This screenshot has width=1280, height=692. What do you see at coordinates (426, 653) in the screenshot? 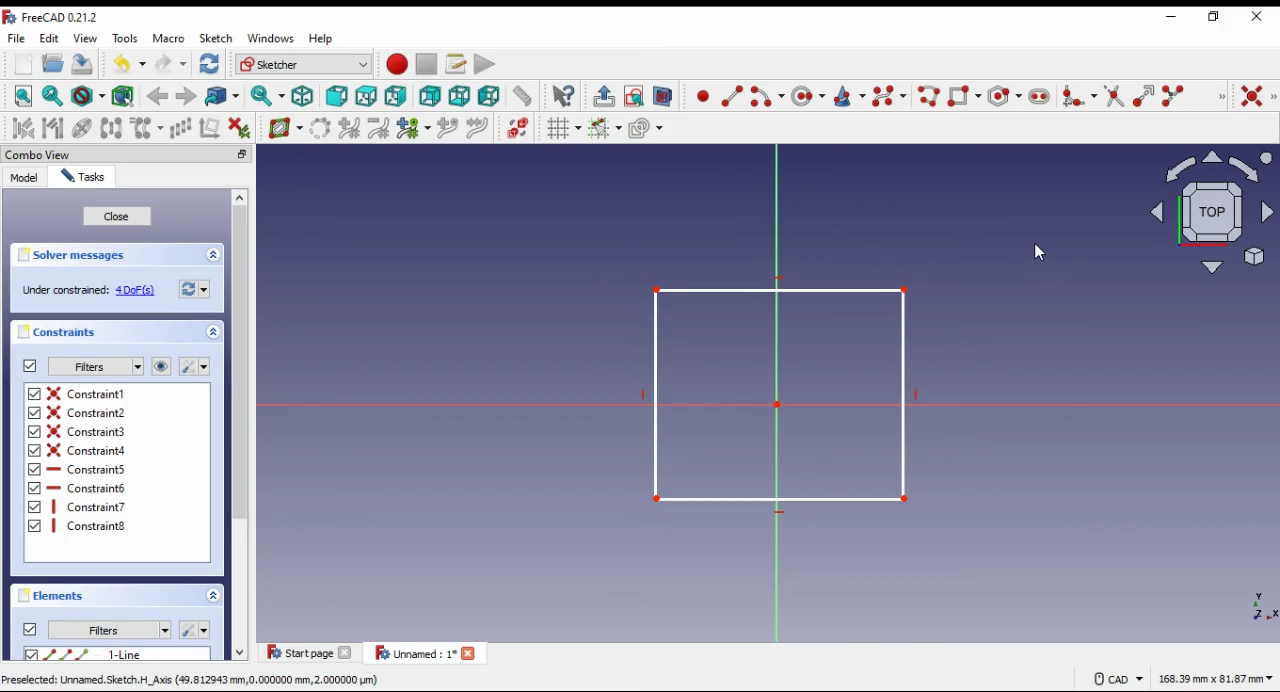
I see `tab 2` at bounding box center [426, 653].